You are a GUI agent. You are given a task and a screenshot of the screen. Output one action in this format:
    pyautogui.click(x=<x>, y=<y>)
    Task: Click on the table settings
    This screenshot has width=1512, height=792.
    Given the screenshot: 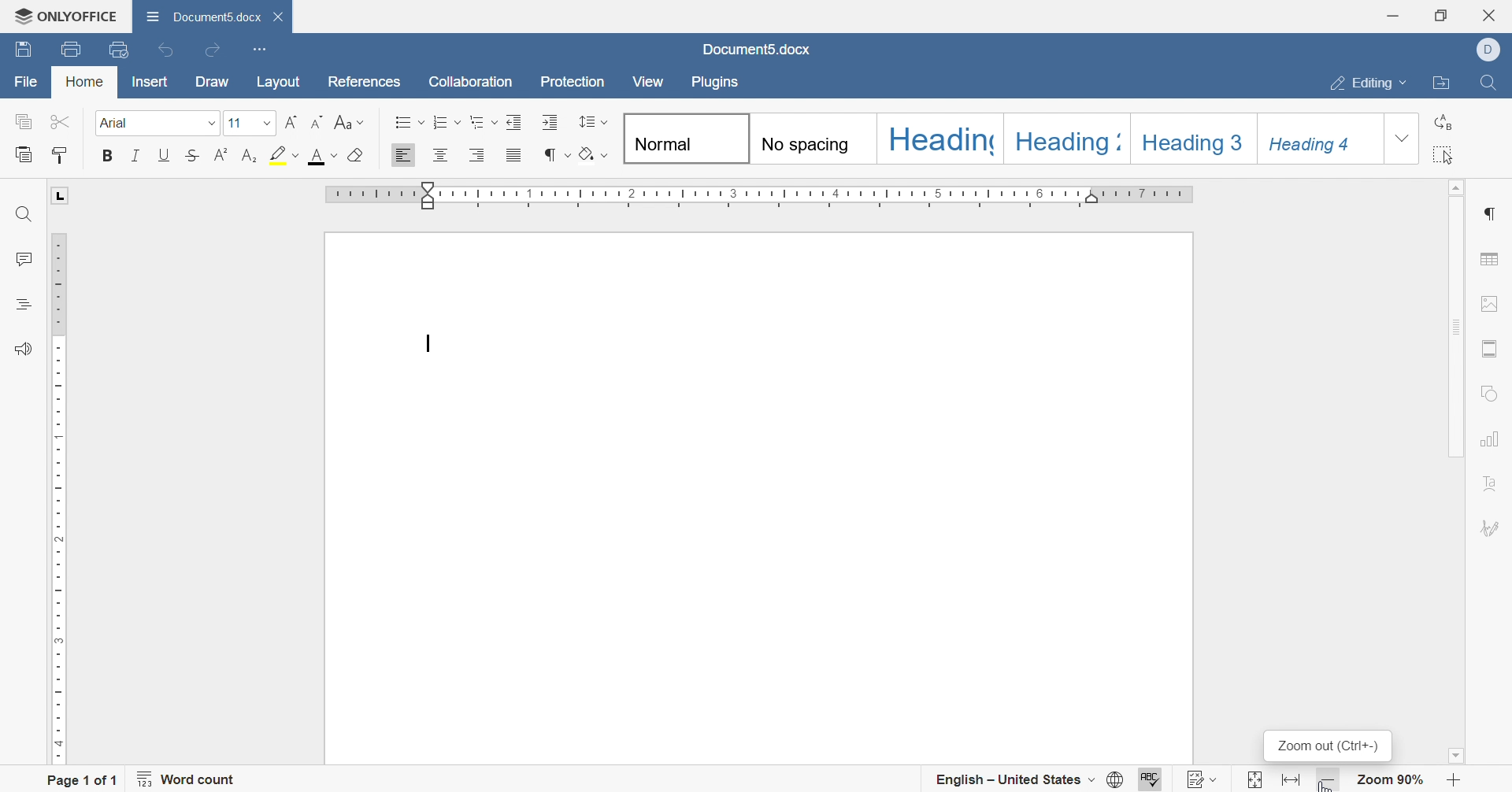 What is the action you would take?
    pyautogui.click(x=1492, y=258)
    